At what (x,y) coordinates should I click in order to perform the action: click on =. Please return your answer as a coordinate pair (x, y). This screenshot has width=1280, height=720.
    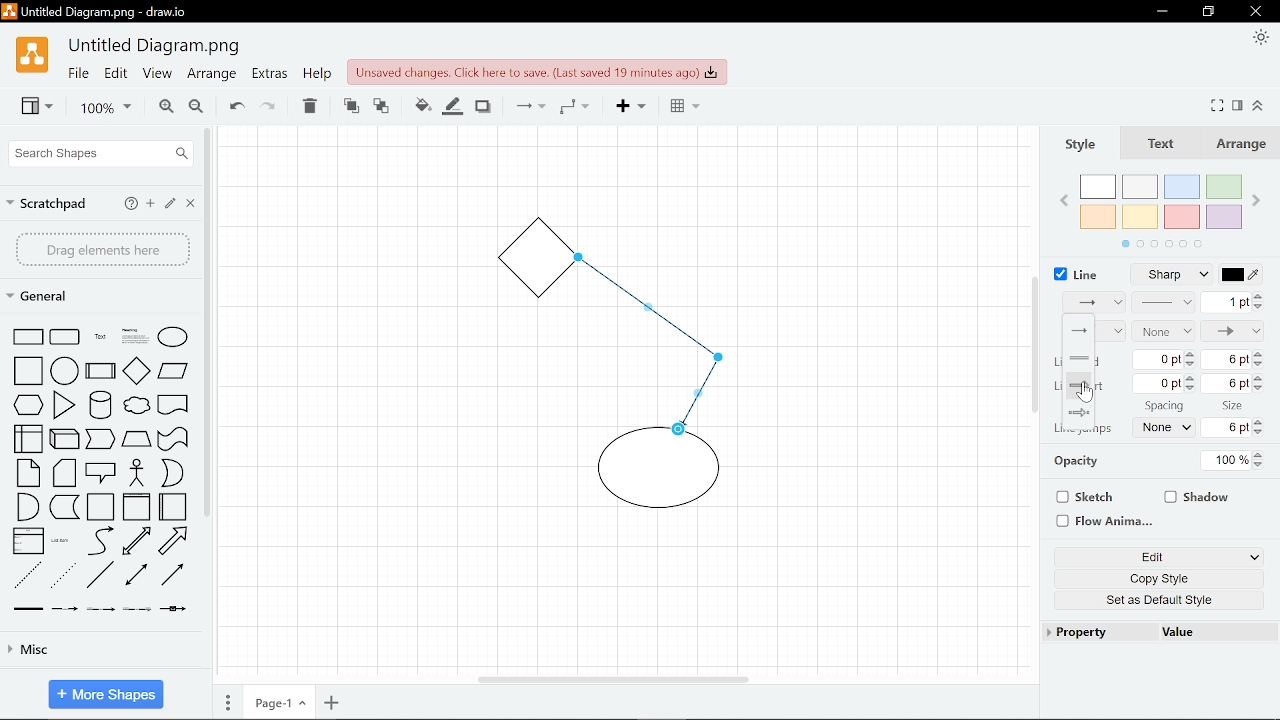
    Looking at the image, I should click on (1092, 358).